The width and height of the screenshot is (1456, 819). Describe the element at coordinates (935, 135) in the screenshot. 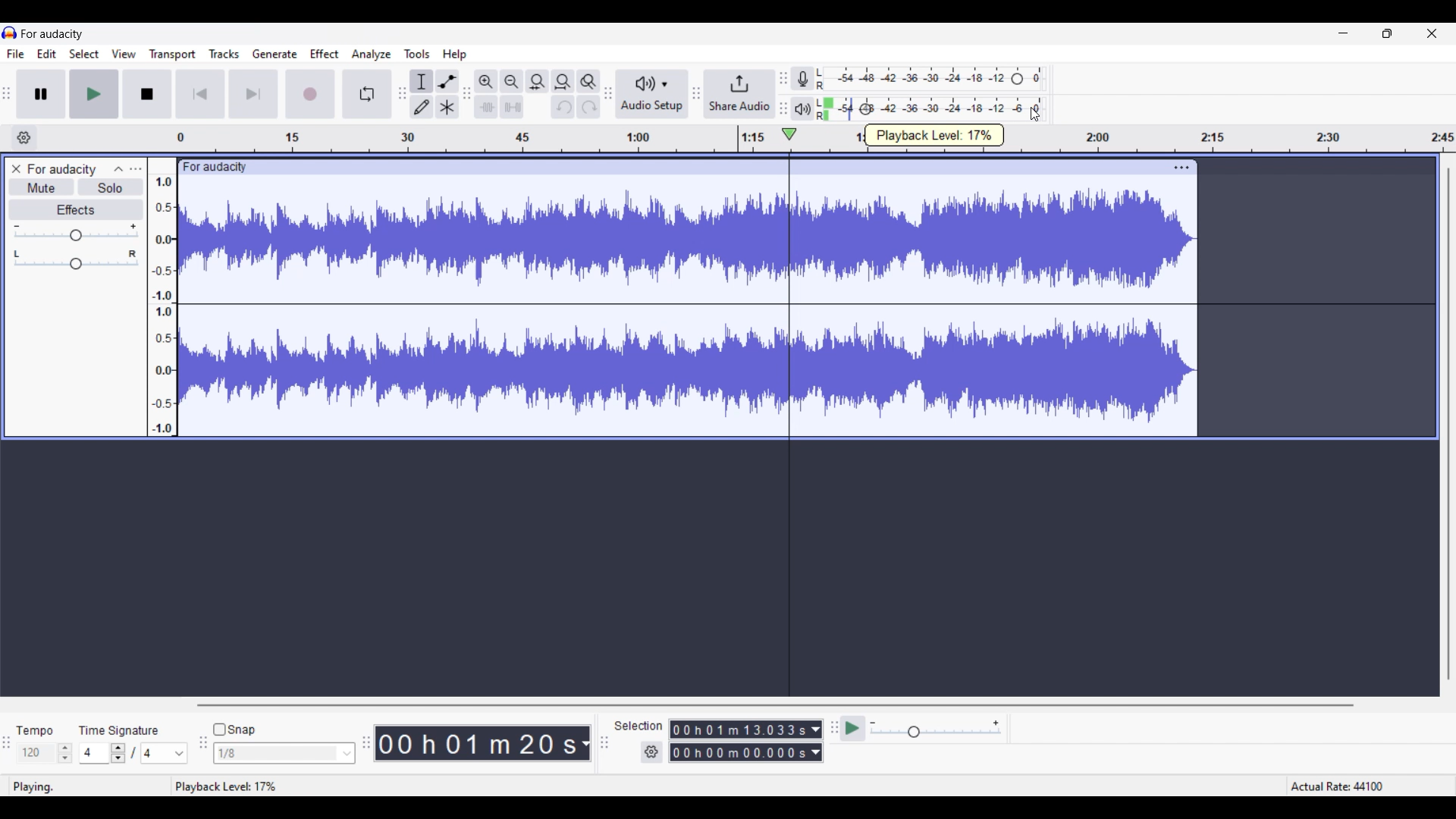

I see `Description of current selection` at that location.